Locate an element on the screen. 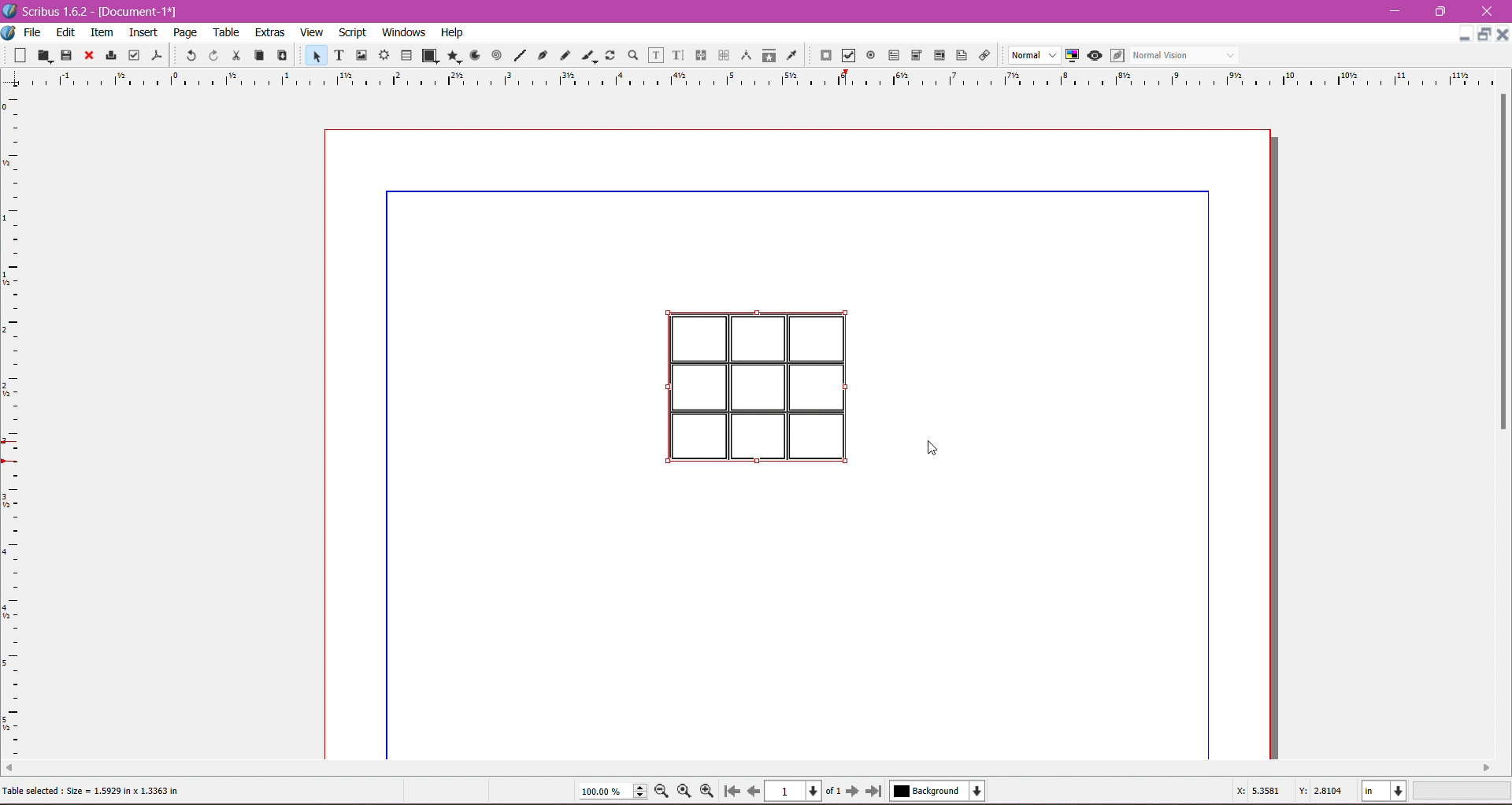 Image resolution: width=1512 pixels, height=805 pixels. First Page is located at coordinates (731, 793).